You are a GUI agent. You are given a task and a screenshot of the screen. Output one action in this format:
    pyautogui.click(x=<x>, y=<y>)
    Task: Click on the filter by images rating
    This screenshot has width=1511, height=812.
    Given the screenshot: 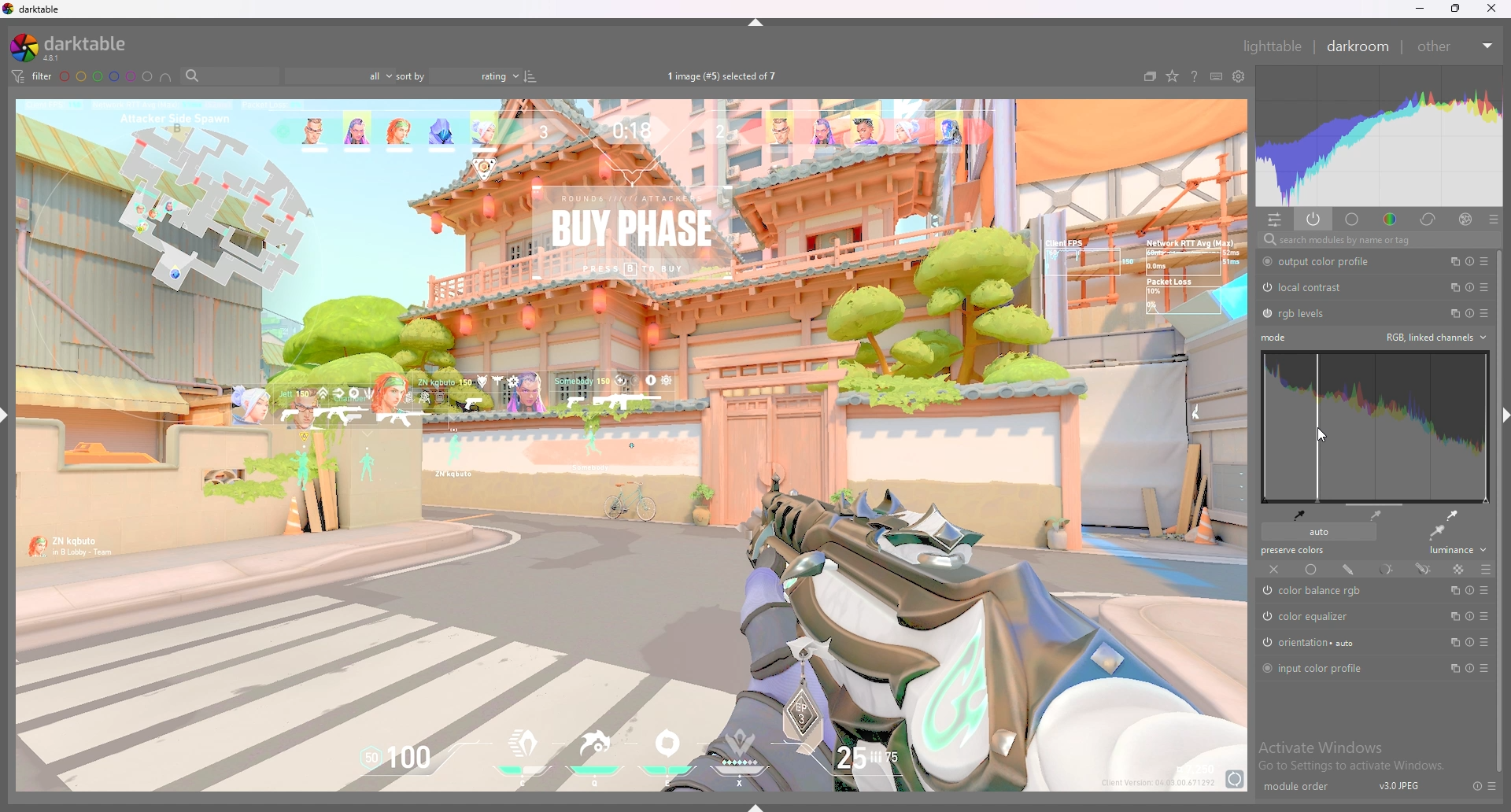 What is the action you would take?
    pyautogui.click(x=336, y=76)
    